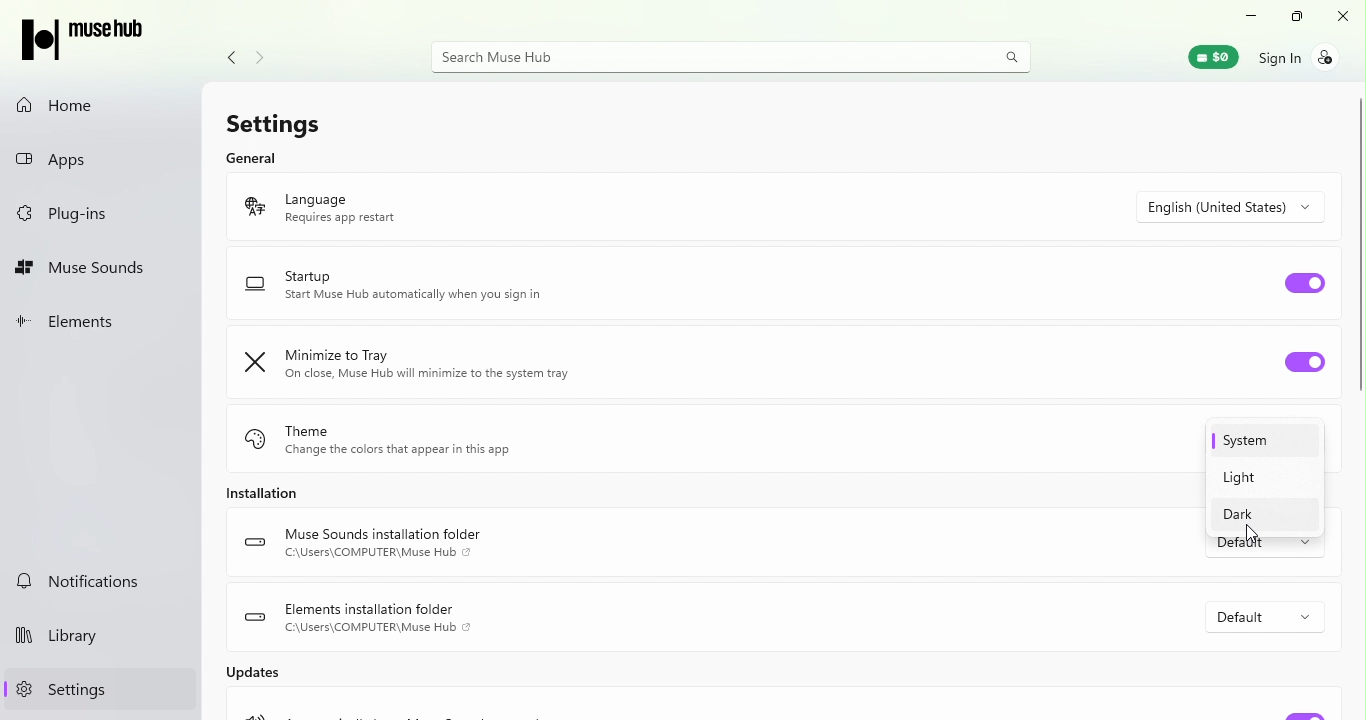 This screenshot has width=1366, height=720. Describe the element at coordinates (1263, 513) in the screenshot. I see `Dark` at that location.